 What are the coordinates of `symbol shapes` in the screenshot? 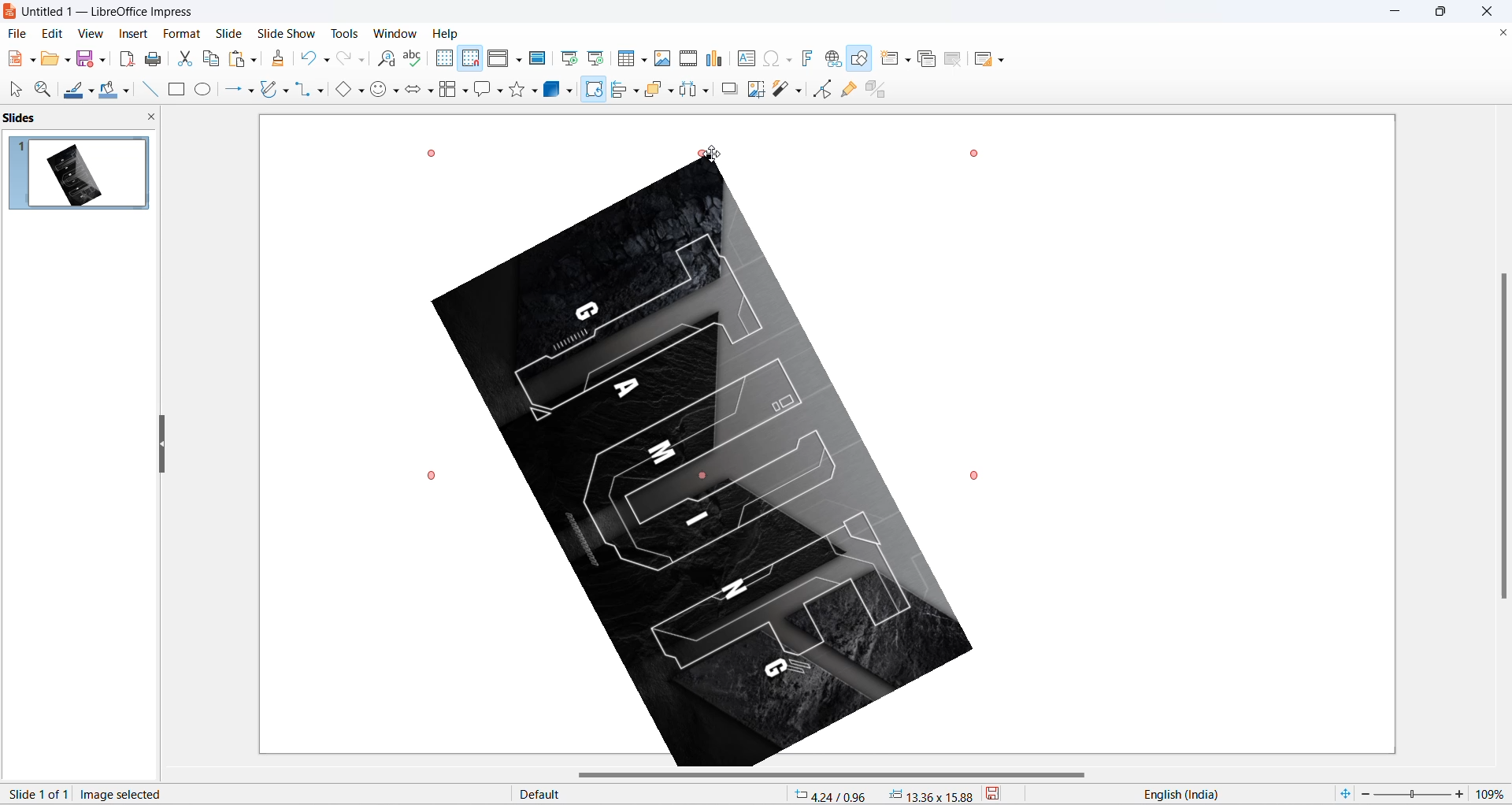 It's located at (398, 93).